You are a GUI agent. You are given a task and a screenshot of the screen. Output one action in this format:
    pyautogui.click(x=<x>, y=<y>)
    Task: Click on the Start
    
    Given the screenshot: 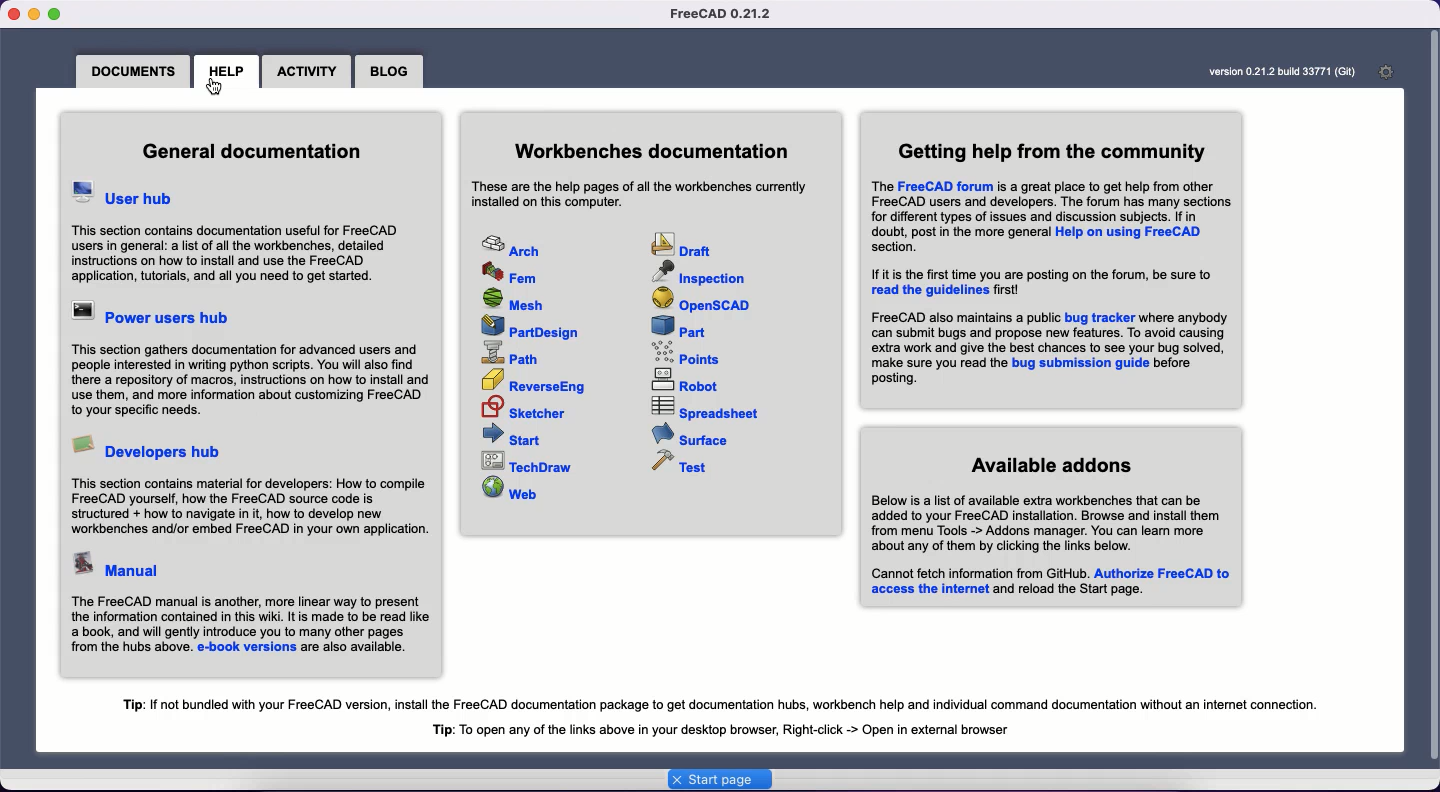 What is the action you would take?
    pyautogui.click(x=519, y=436)
    